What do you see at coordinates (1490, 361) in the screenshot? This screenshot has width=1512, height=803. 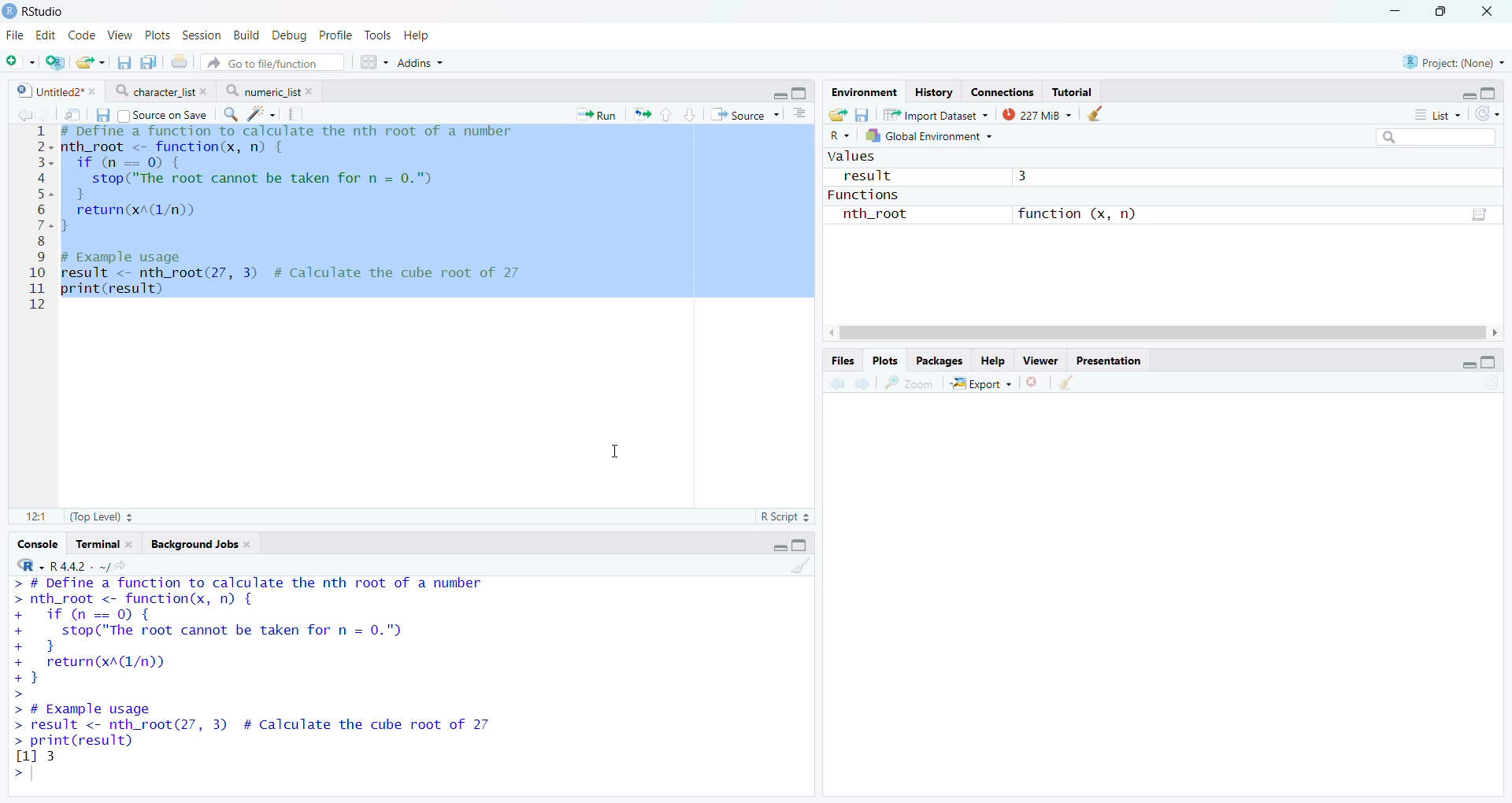 I see `Full height` at bounding box center [1490, 361].